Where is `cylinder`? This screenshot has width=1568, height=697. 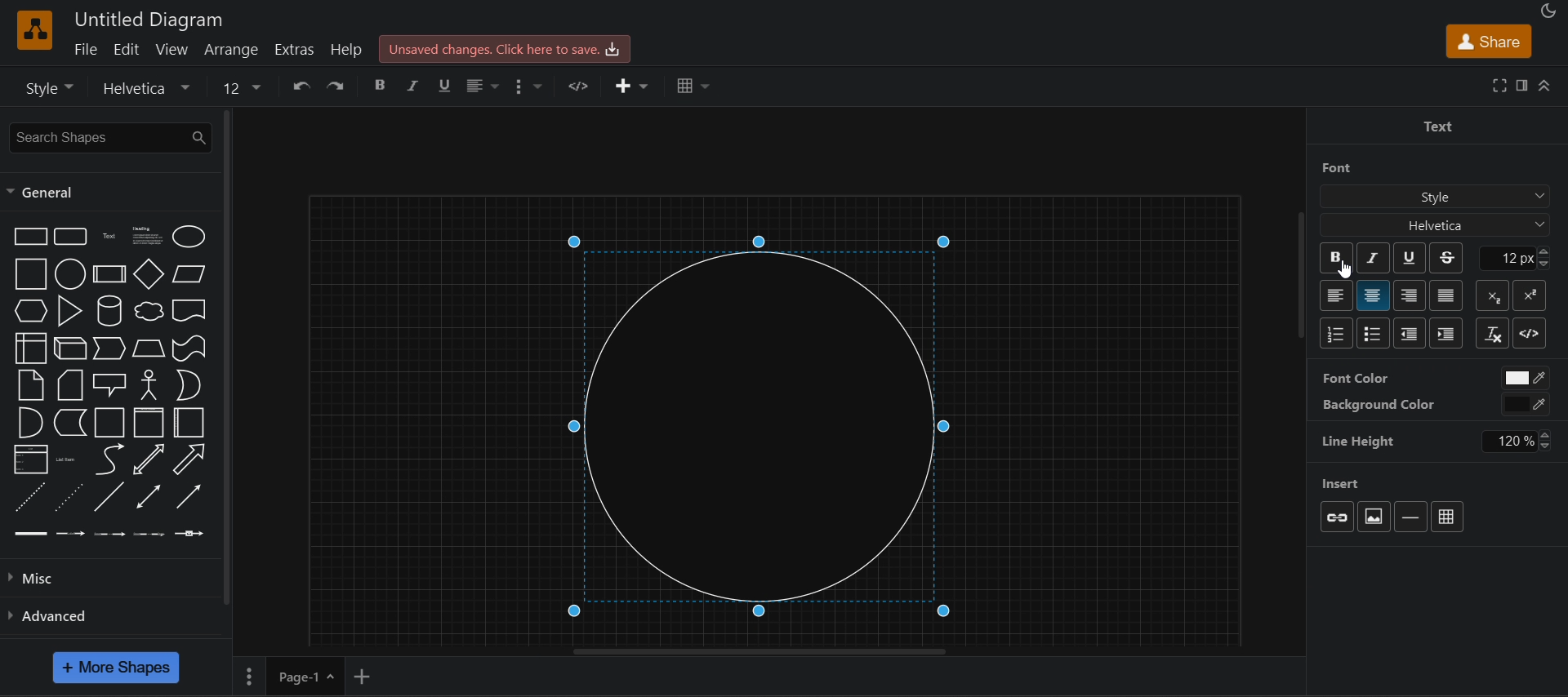
cylinder is located at coordinates (112, 311).